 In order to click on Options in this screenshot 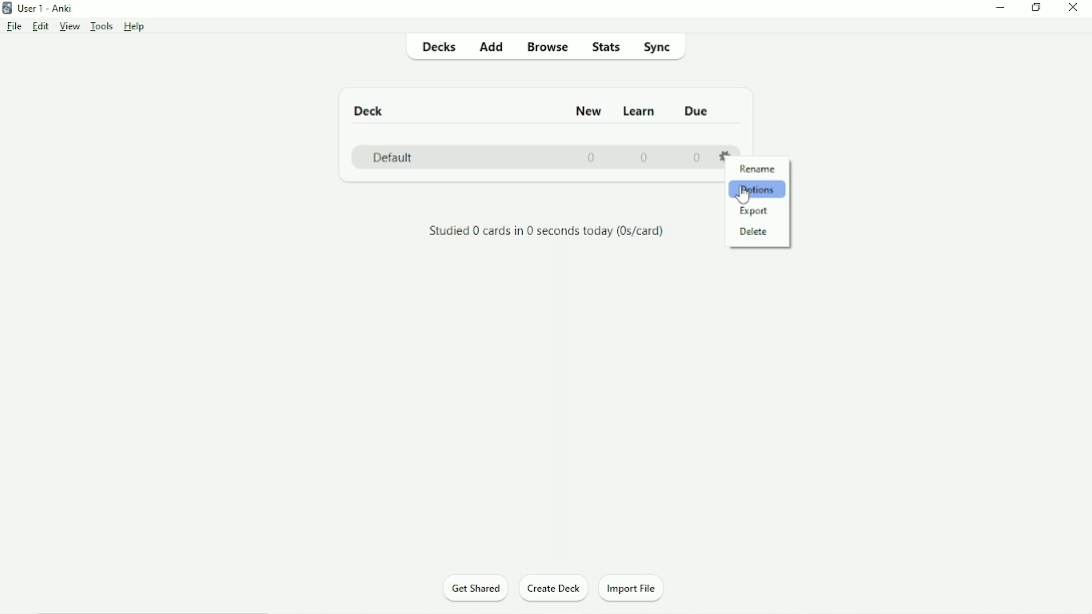, I will do `click(758, 189)`.